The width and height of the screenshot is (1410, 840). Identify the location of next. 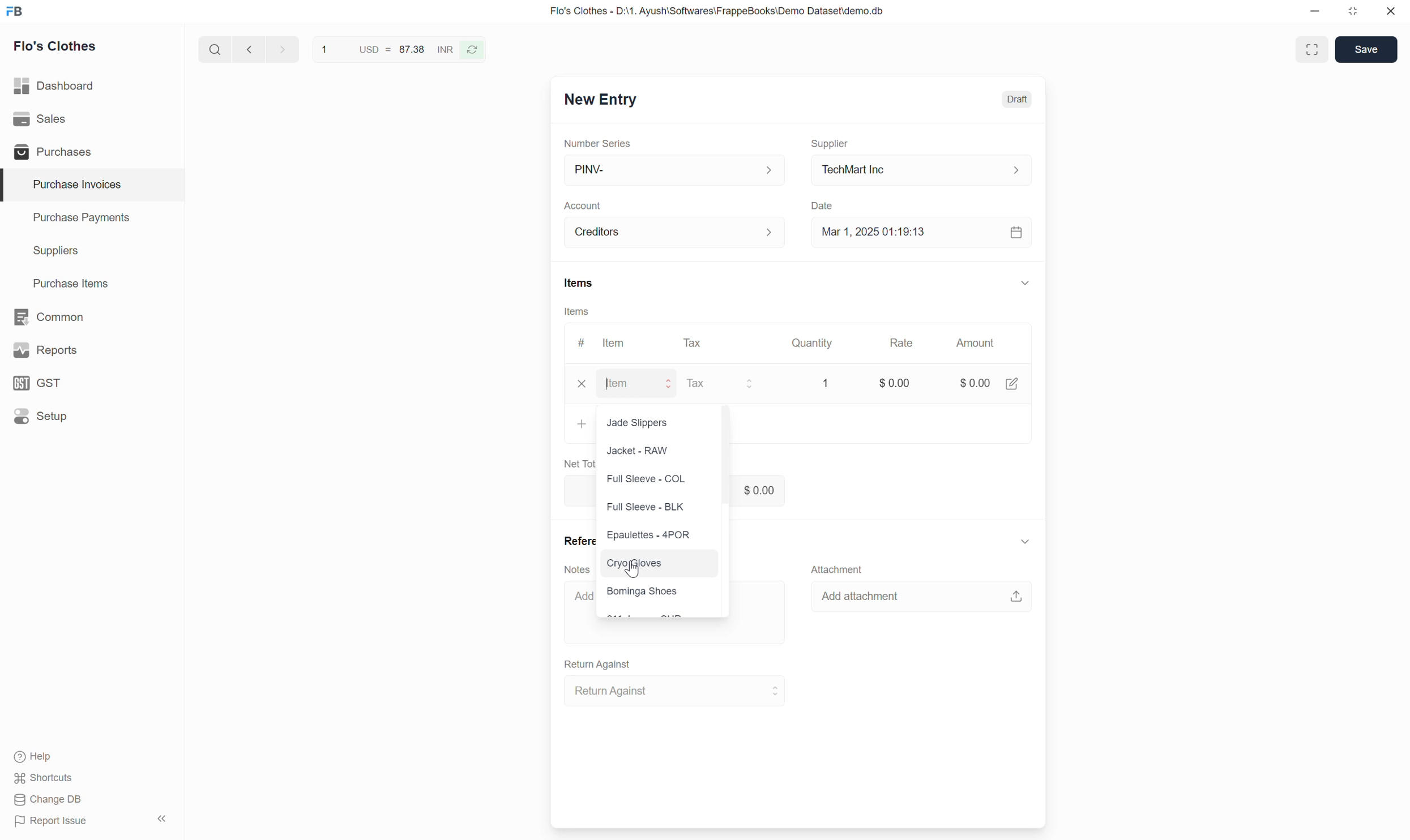
(247, 50).